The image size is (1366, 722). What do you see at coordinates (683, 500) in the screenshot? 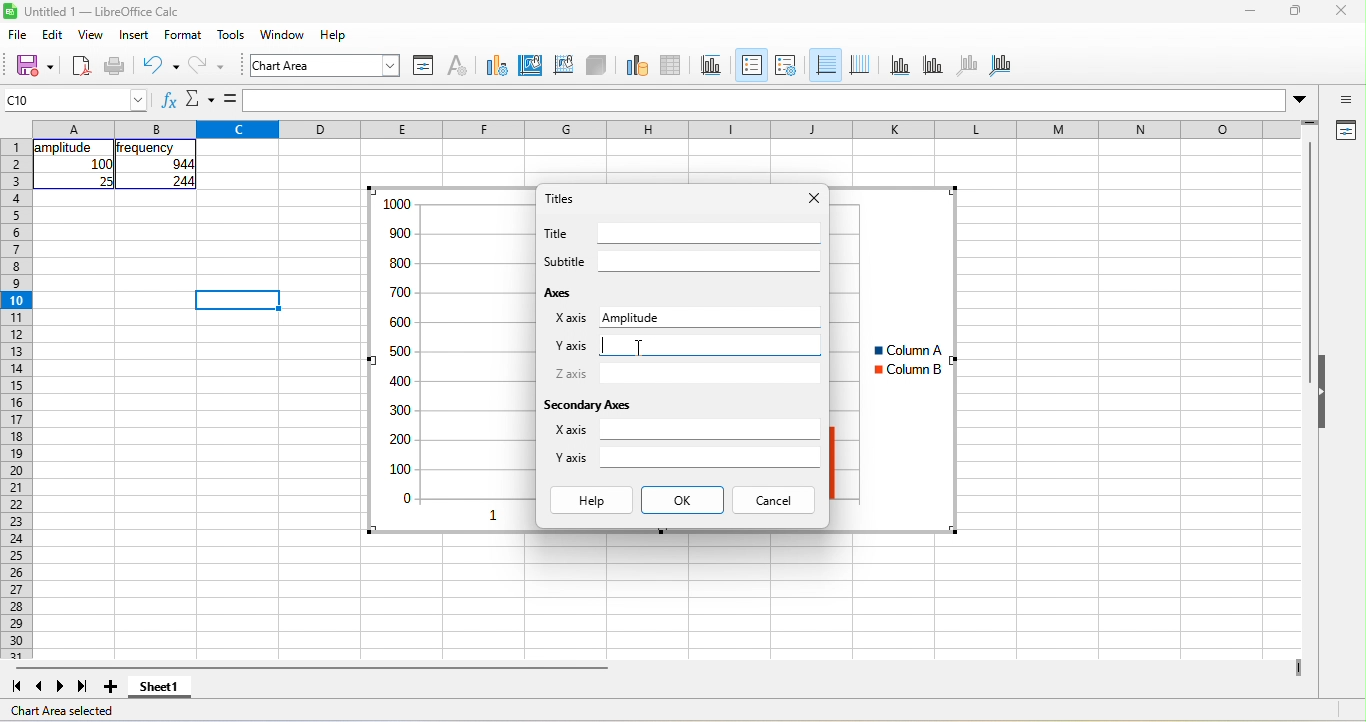
I see `ok` at bounding box center [683, 500].